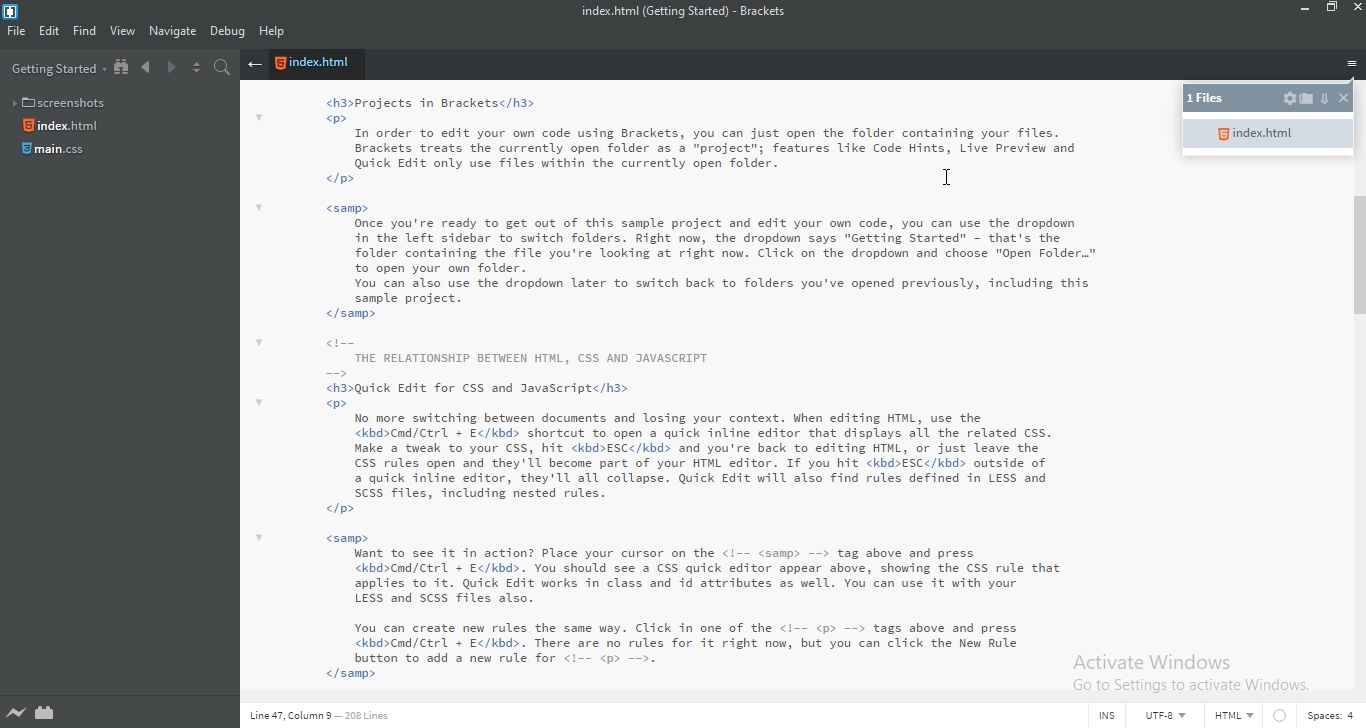  Describe the element at coordinates (1290, 98) in the screenshot. I see `settings` at that location.